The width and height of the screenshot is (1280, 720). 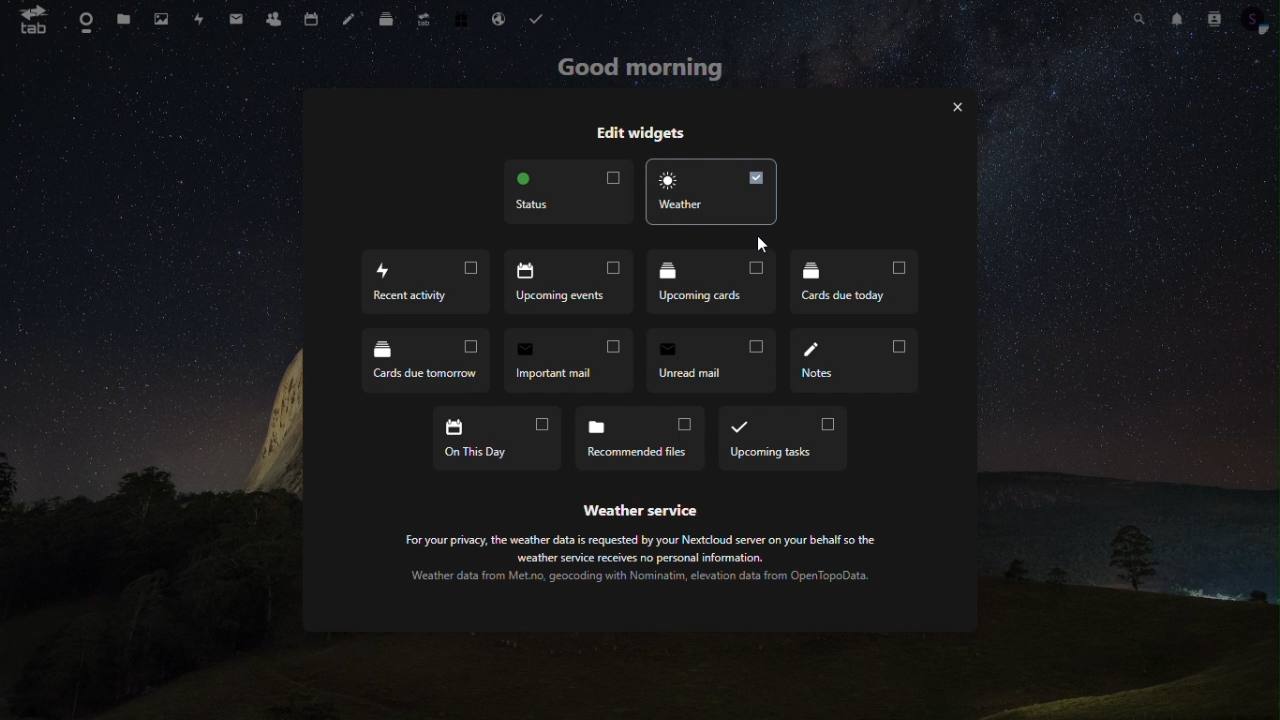 I want to click on weather widget enable, so click(x=713, y=190).